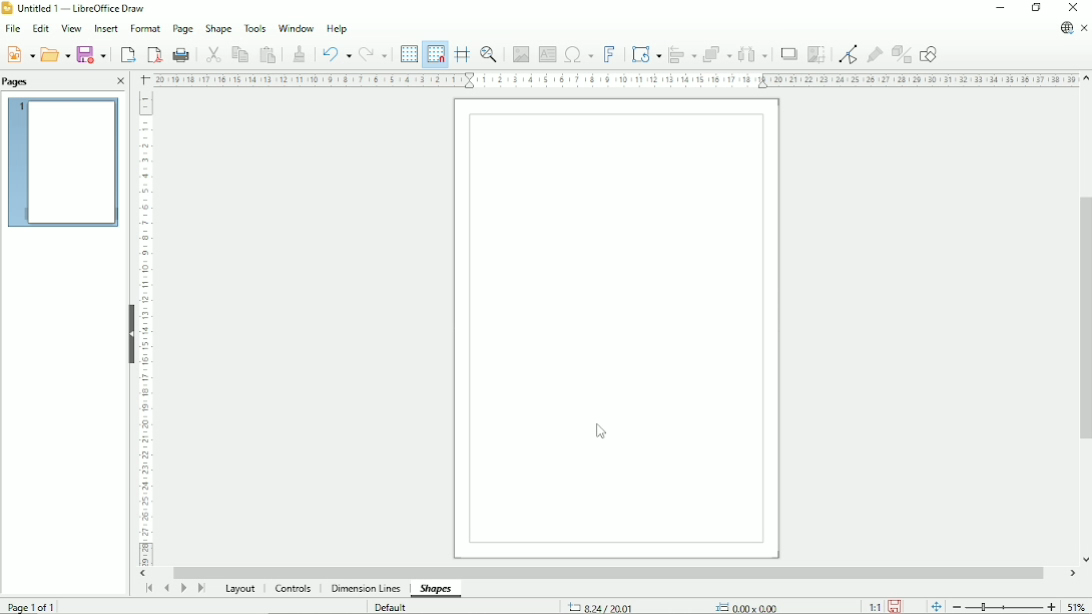 Image resolution: width=1092 pixels, height=614 pixels. What do you see at coordinates (548, 53) in the screenshot?
I see `Insert text box` at bounding box center [548, 53].